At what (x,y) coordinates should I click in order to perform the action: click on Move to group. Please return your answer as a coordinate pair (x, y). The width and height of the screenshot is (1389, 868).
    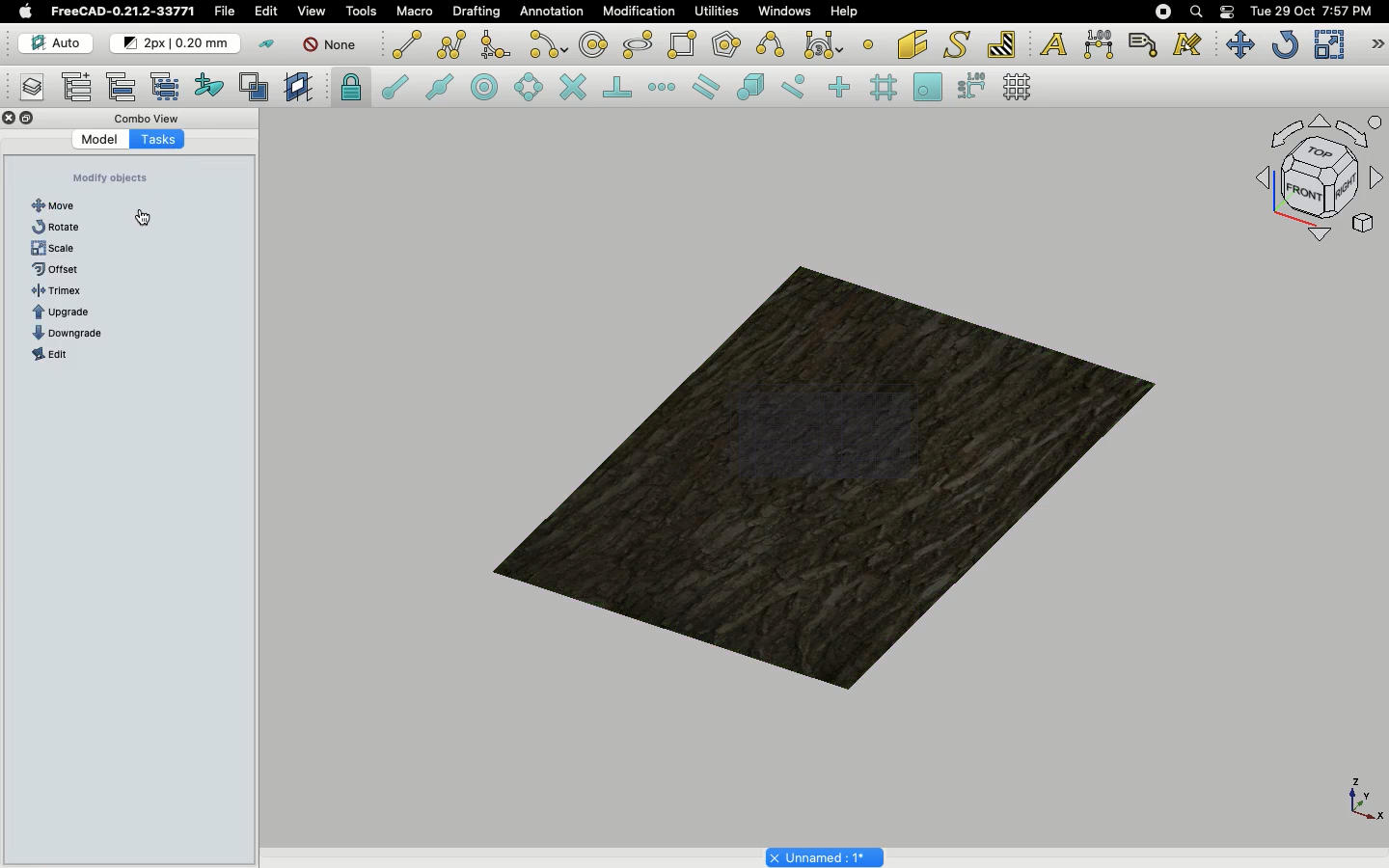
    Looking at the image, I should click on (124, 87).